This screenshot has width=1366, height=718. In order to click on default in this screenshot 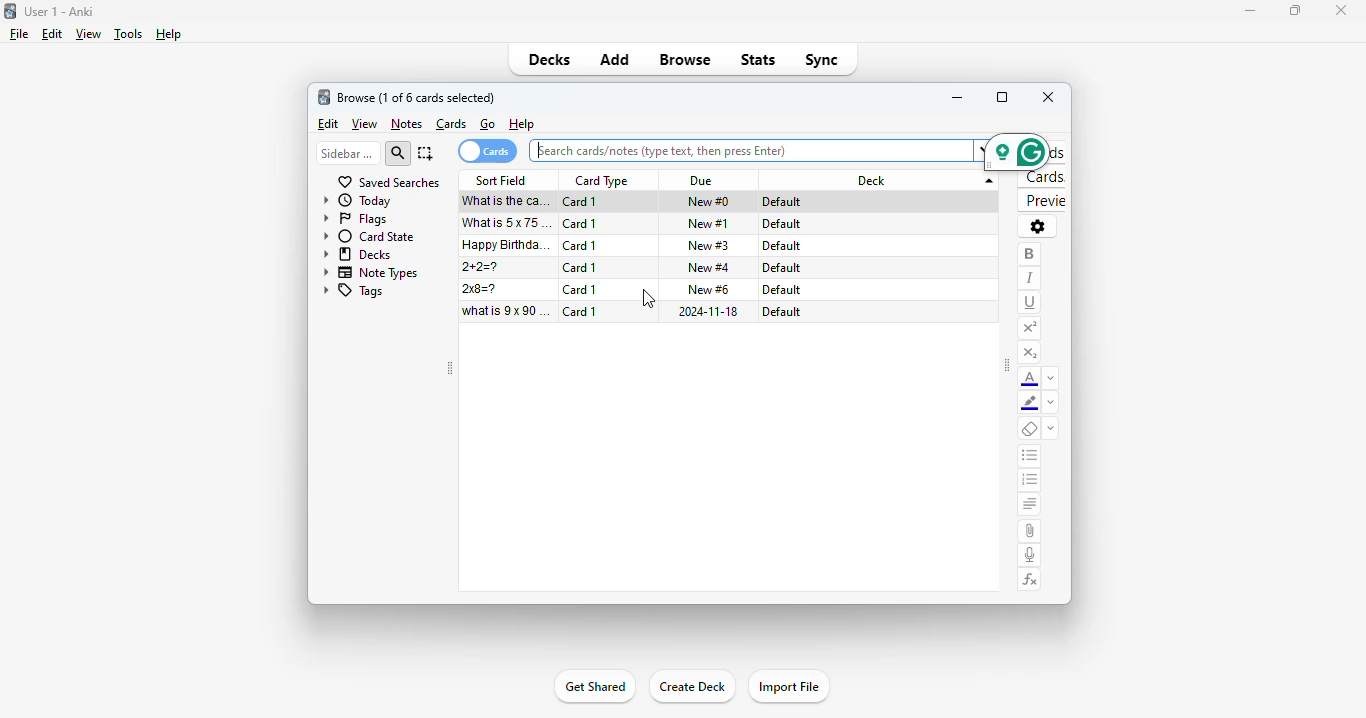, I will do `click(781, 290)`.